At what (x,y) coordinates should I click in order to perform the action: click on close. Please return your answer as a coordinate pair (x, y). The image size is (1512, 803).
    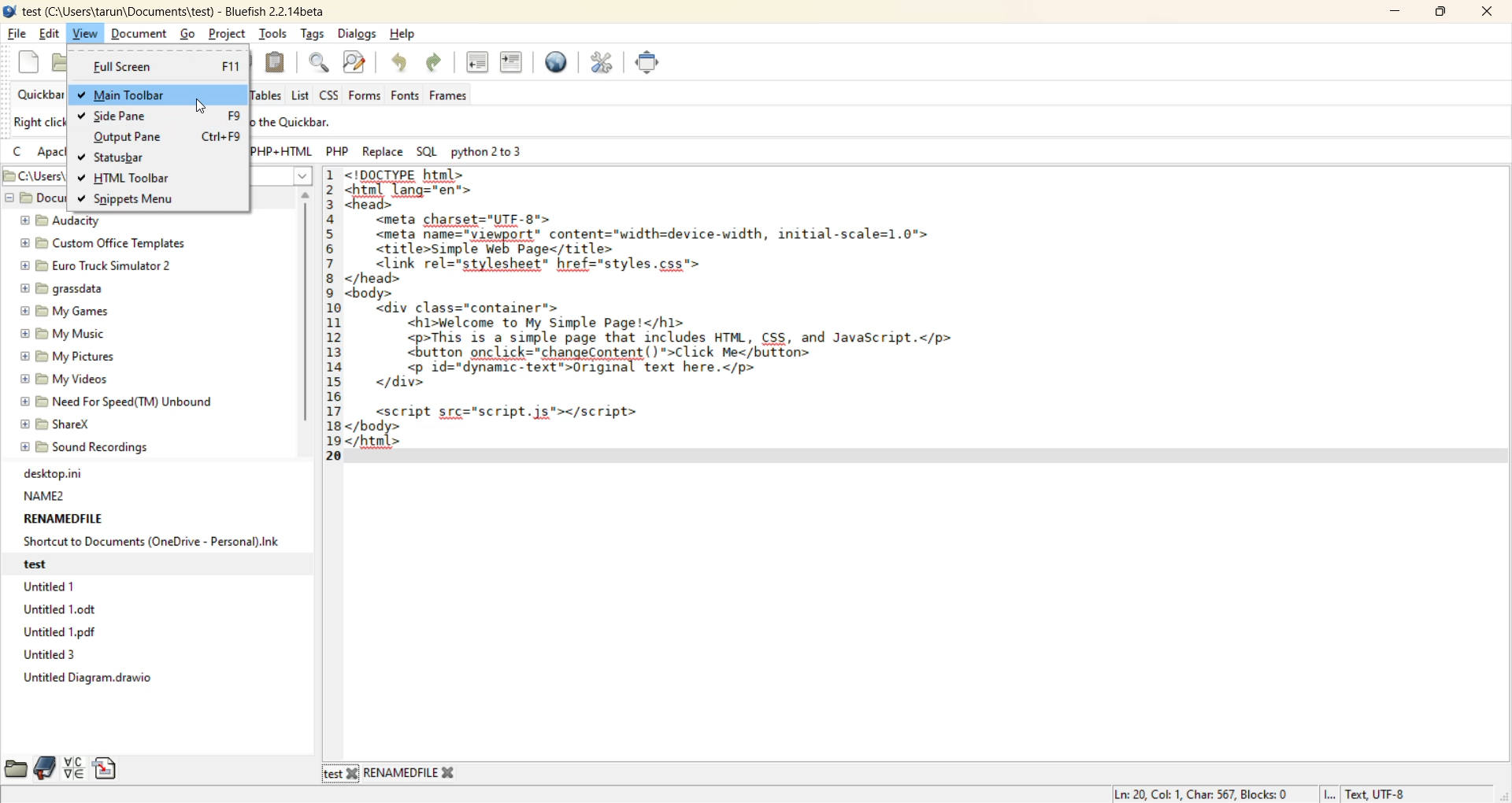
    Looking at the image, I should click on (1484, 12).